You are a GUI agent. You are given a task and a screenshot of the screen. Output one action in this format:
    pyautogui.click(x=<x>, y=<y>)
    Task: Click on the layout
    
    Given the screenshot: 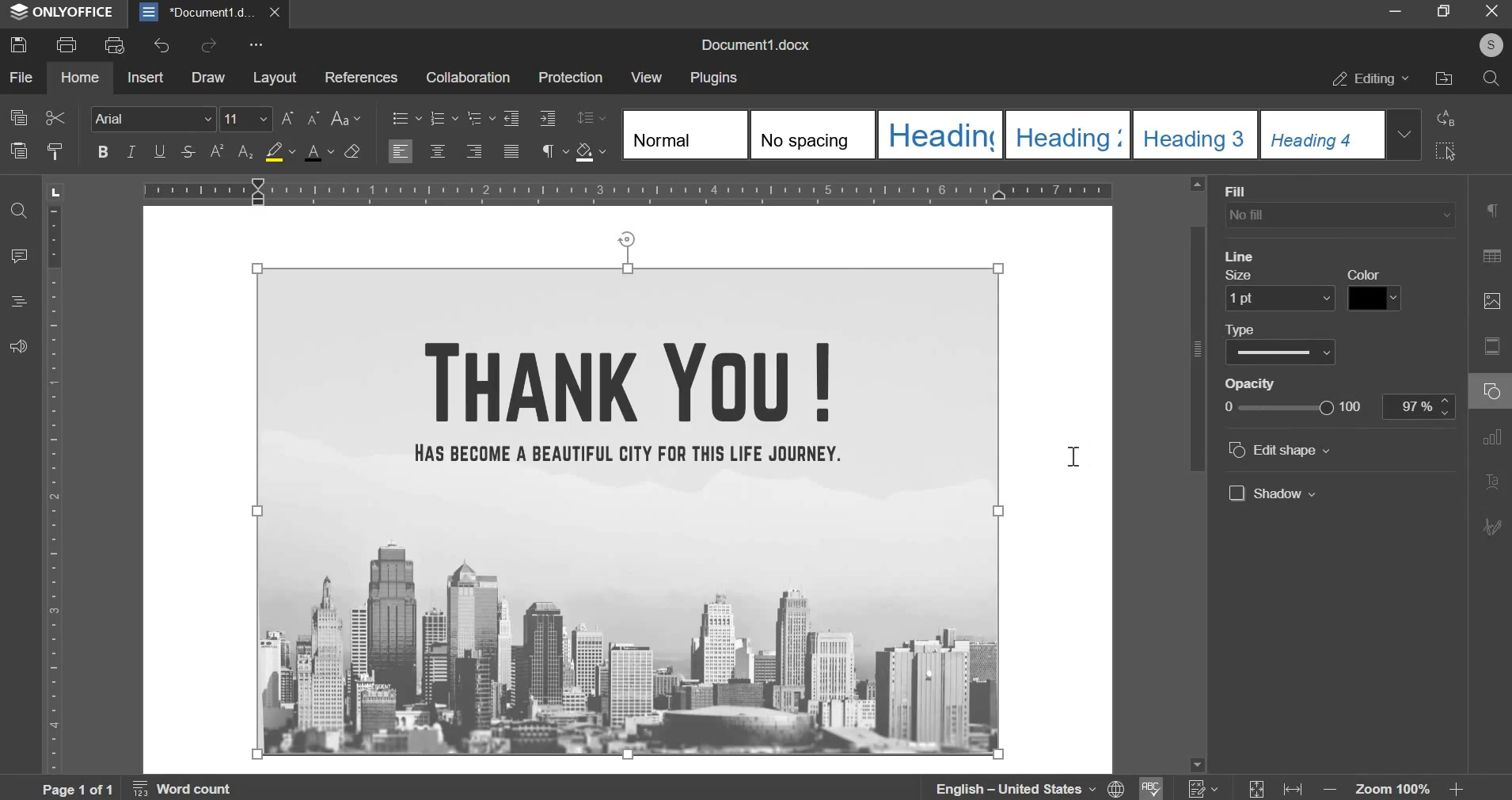 What is the action you would take?
    pyautogui.click(x=275, y=77)
    